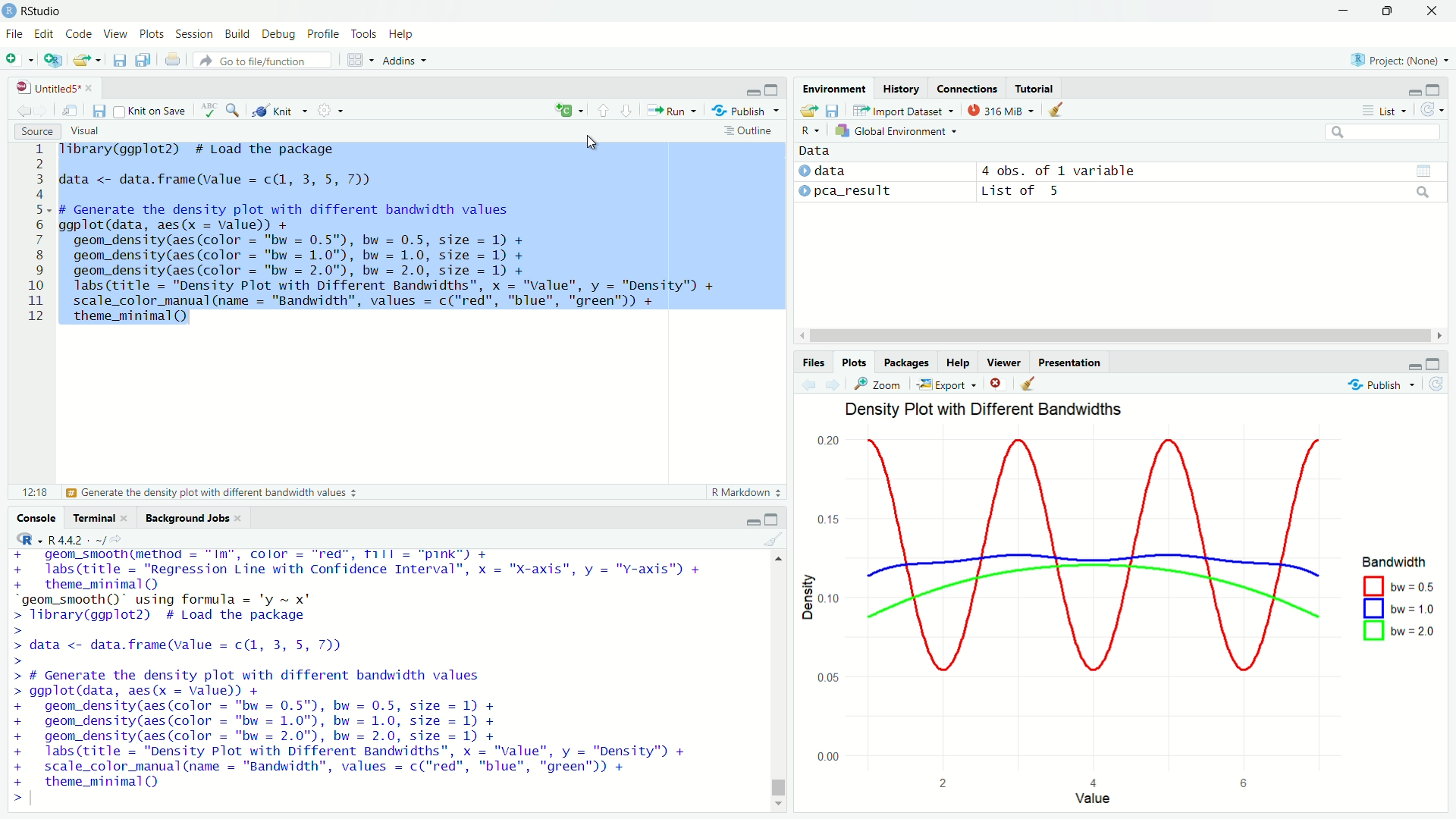  What do you see at coordinates (671, 110) in the screenshot?
I see `Run` at bounding box center [671, 110].